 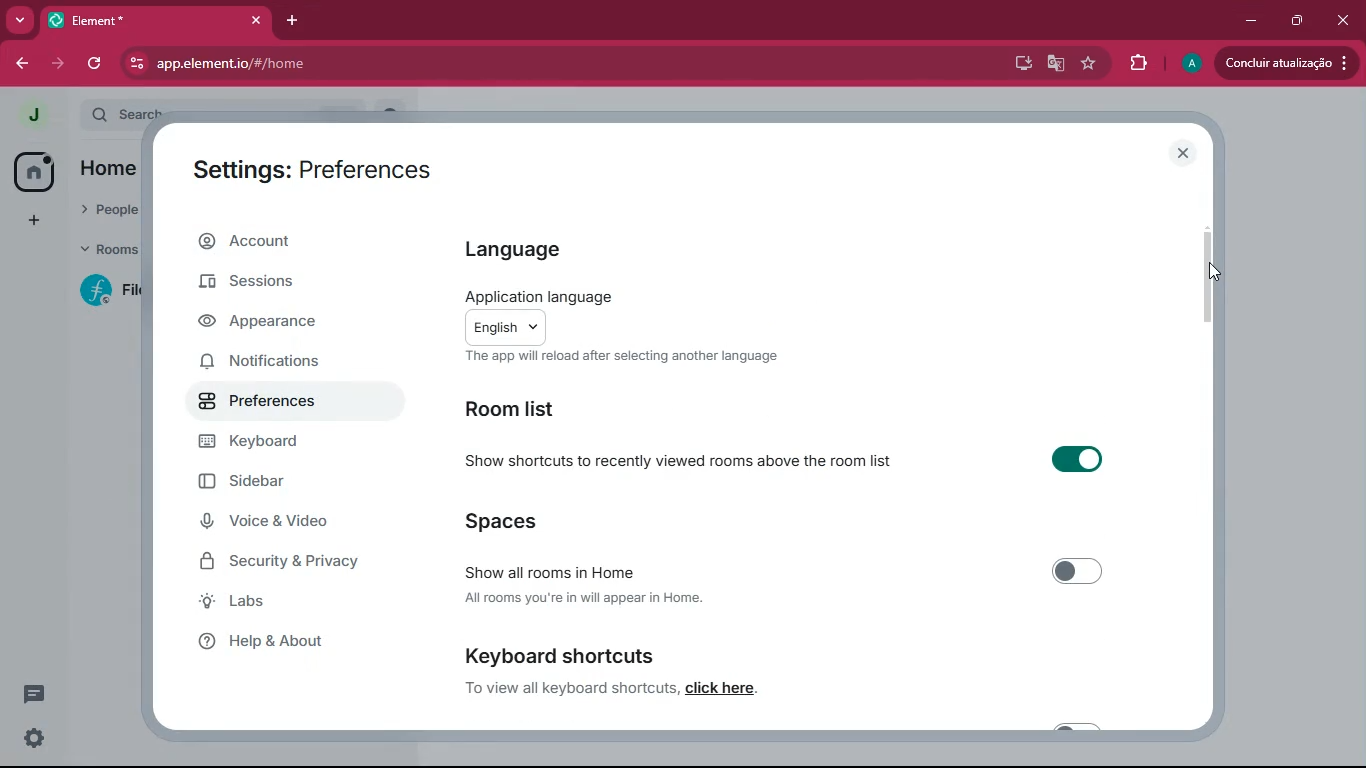 I want to click on application language, so click(x=540, y=296).